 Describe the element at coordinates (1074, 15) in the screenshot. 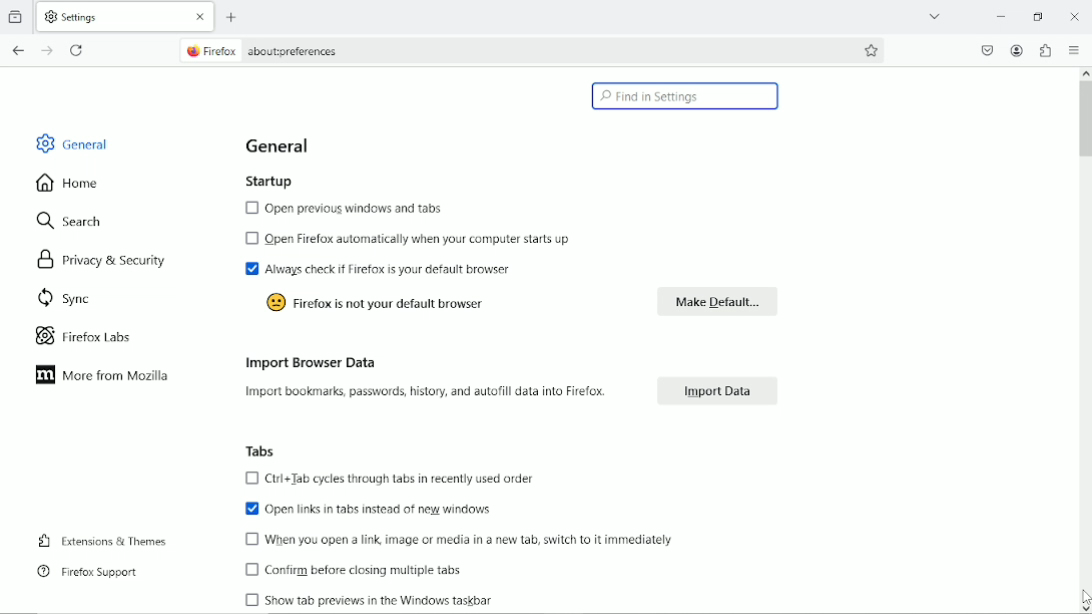

I see `Close` at that location.